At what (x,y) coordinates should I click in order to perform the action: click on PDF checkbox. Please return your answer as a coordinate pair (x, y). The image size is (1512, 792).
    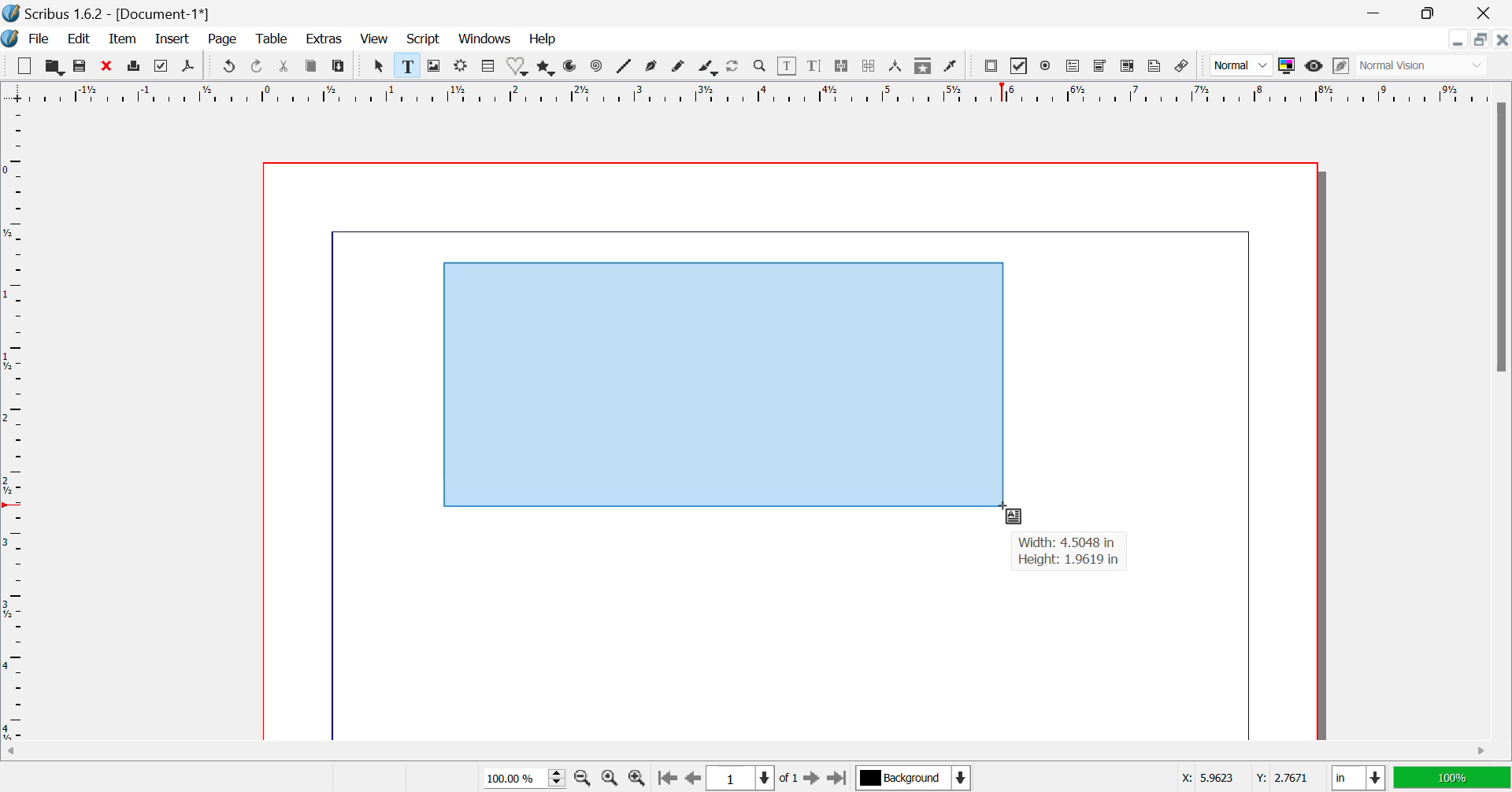
    Looking at the image, I should click on (1020, 65).